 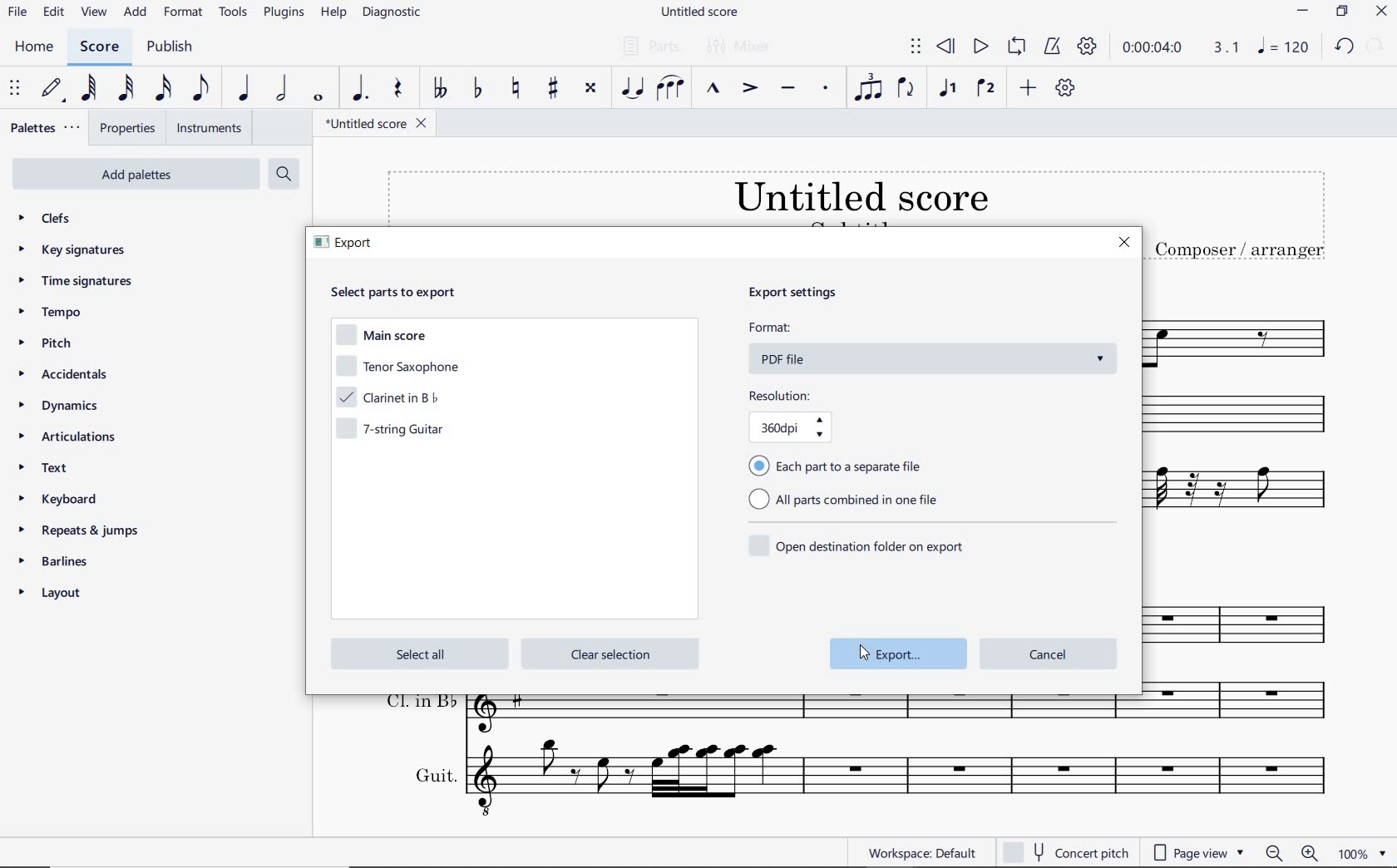 What do you see at coordinates (1249, 416) in the screenshot?
I see `Clarinet in b` at bounding box center [1249, 416].